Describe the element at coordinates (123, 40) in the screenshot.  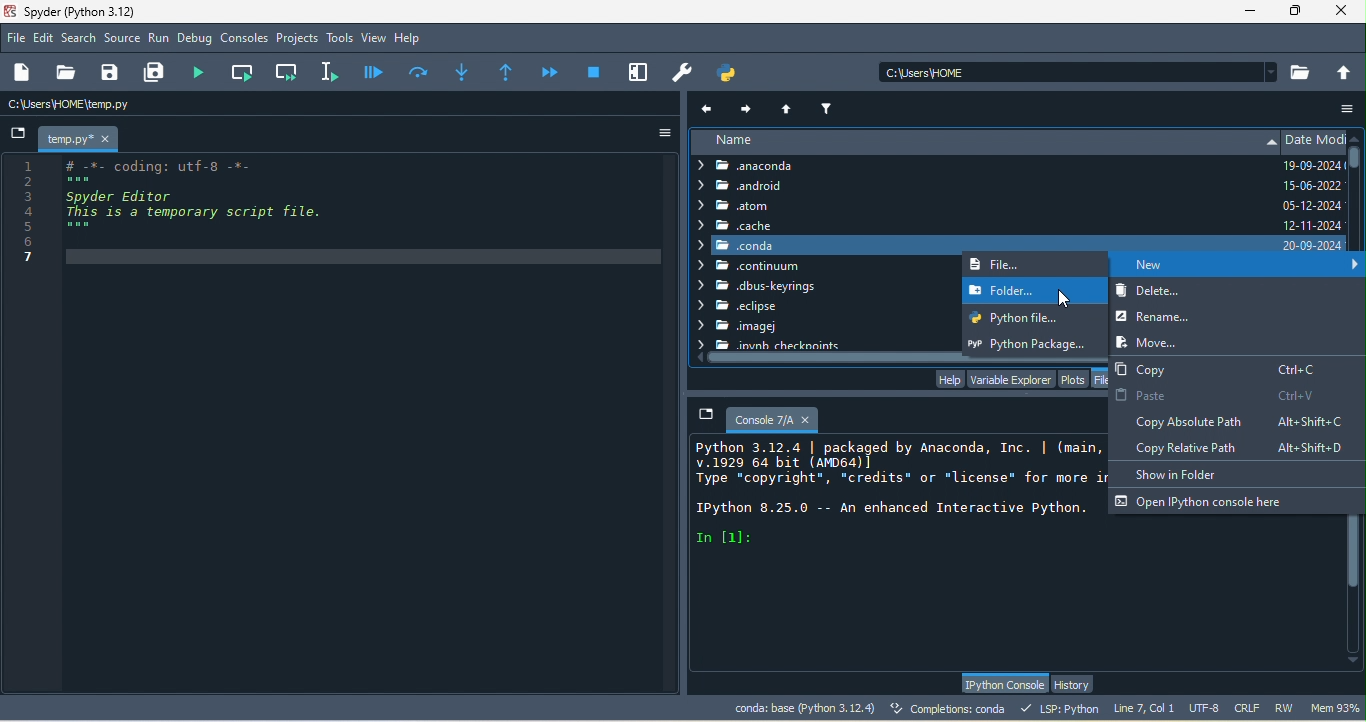
I see `source` at that location.